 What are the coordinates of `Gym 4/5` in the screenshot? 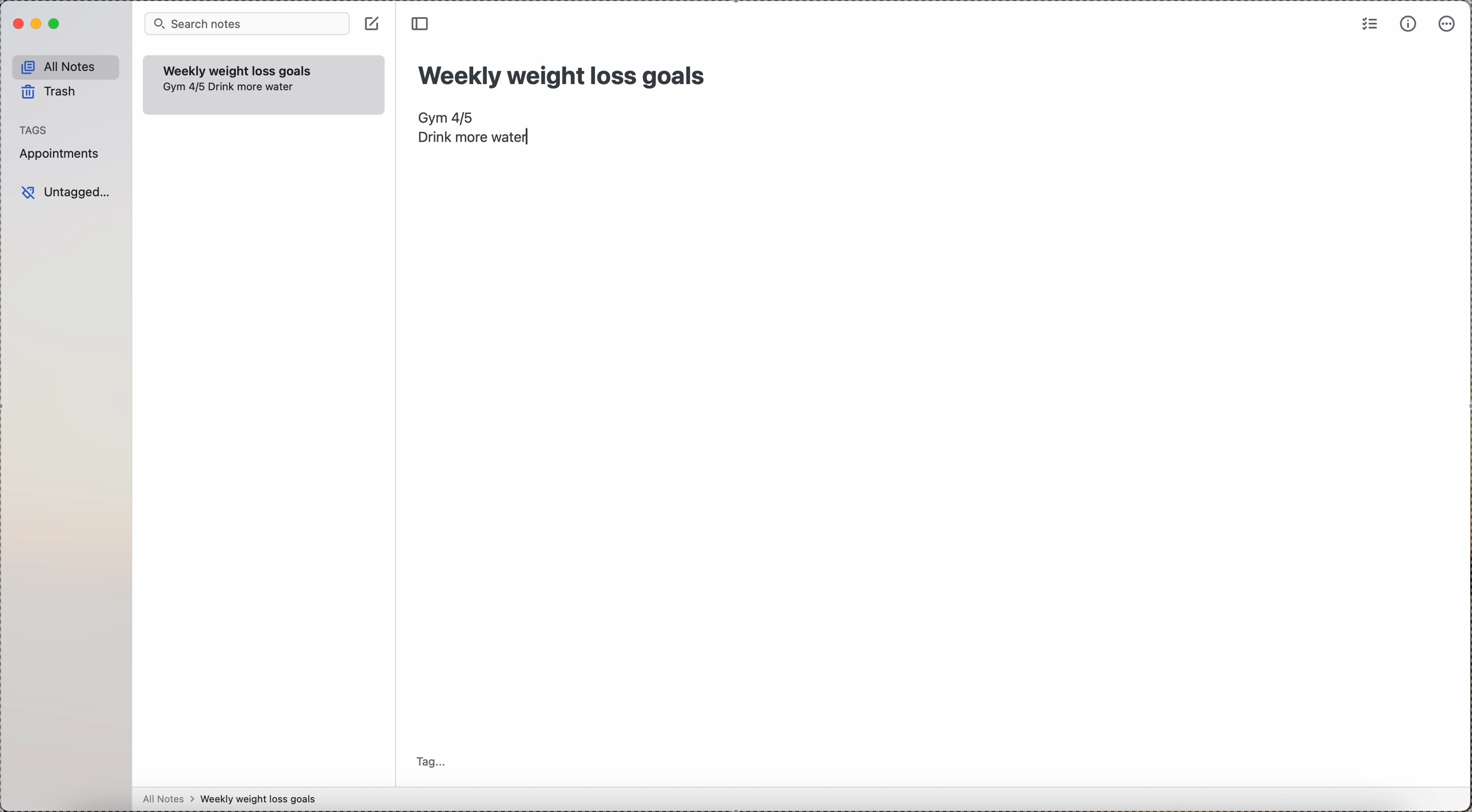 It's located at (183, 87).